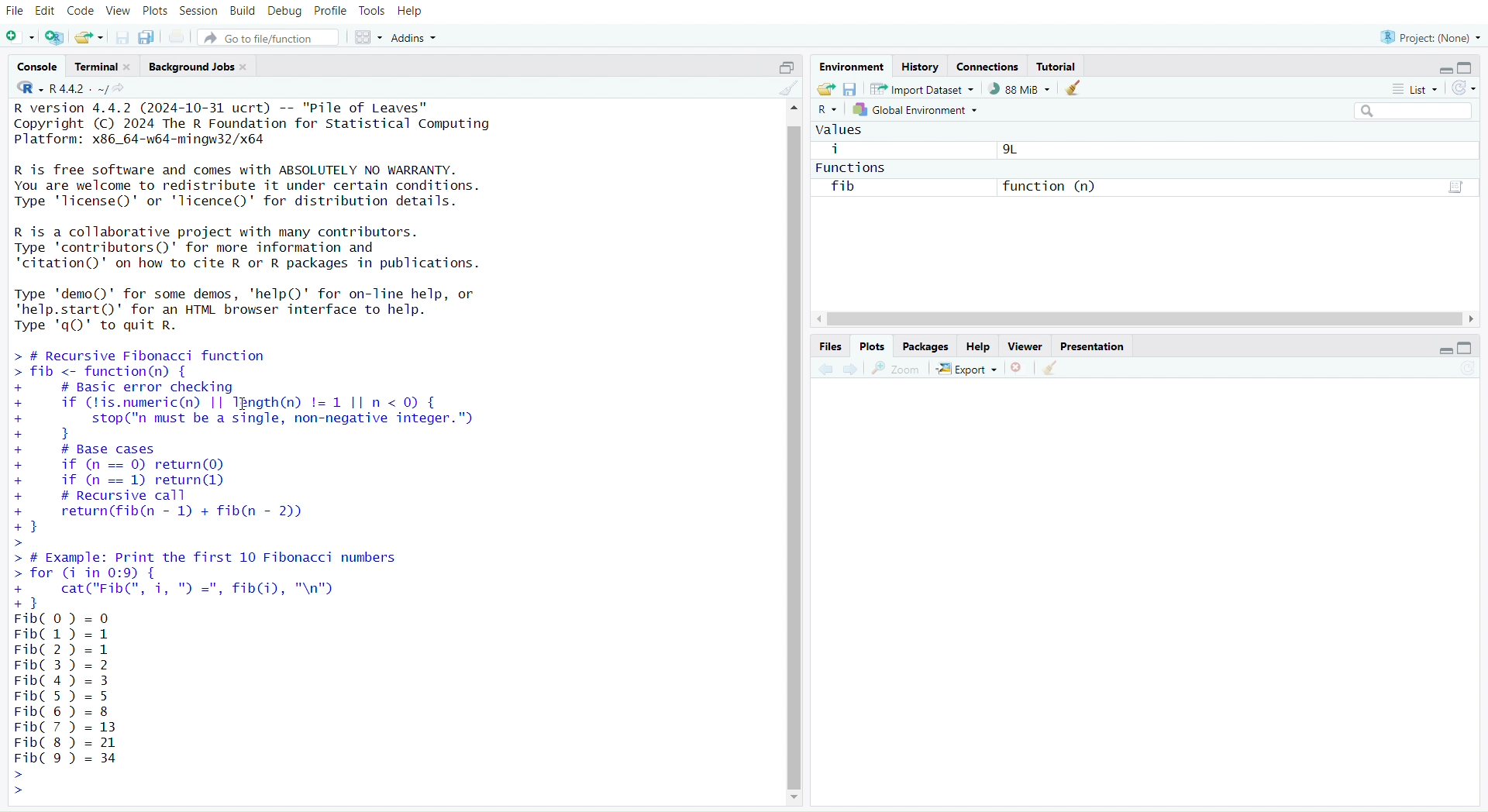 This screenshot has width=1488, height=812. I want to click on plots, so click(873, 346).